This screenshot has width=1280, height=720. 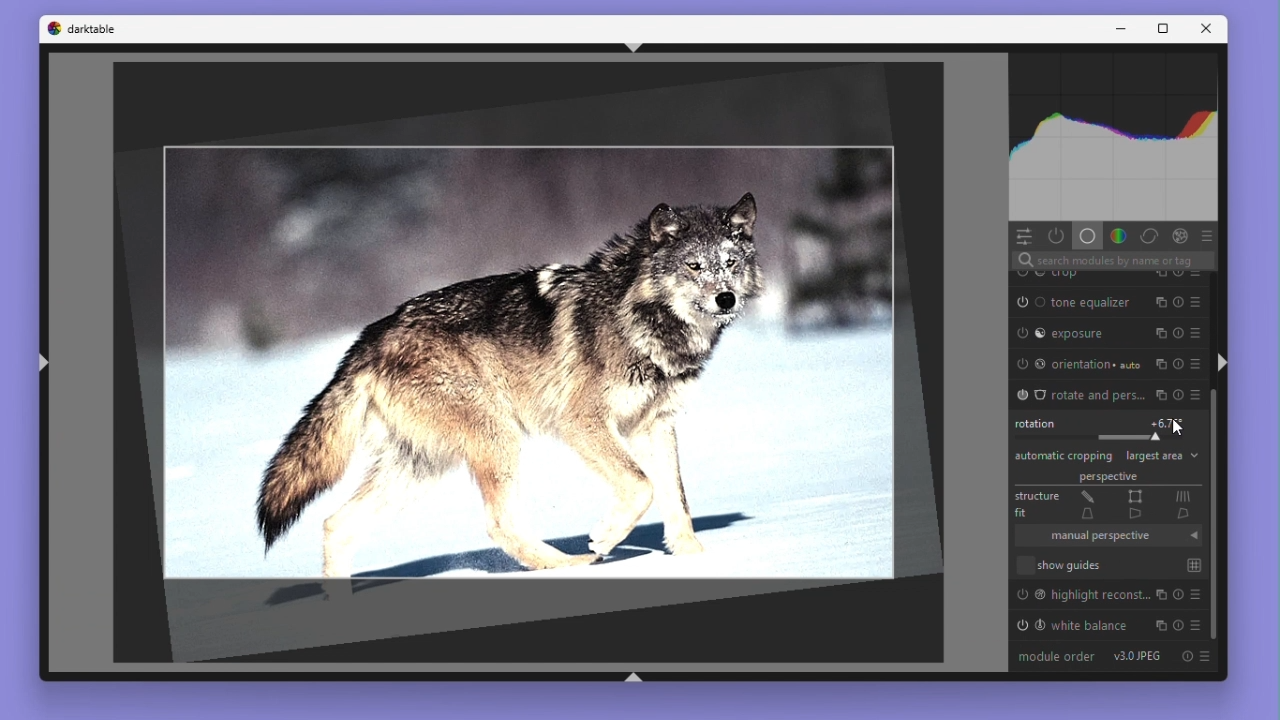 I want to click on Base, so click(x=1086, y=235).